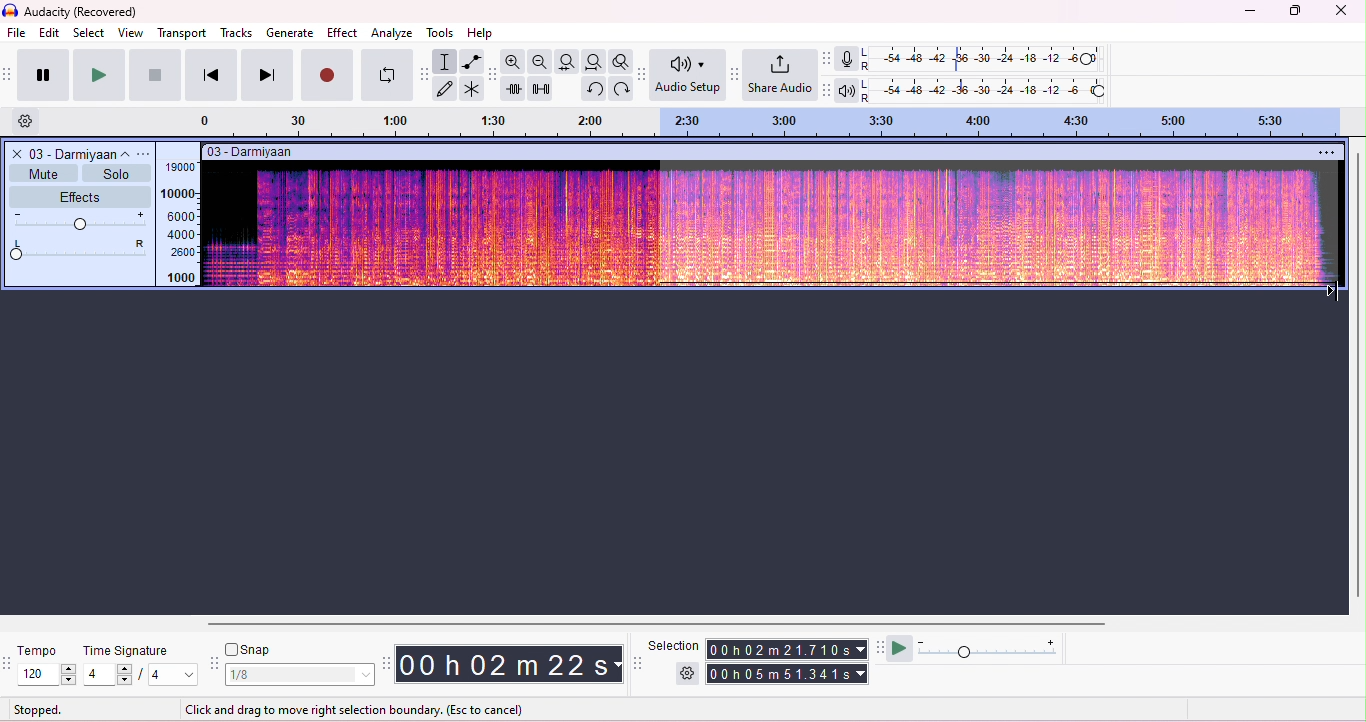  I want to click on total time, so click(785, 650).